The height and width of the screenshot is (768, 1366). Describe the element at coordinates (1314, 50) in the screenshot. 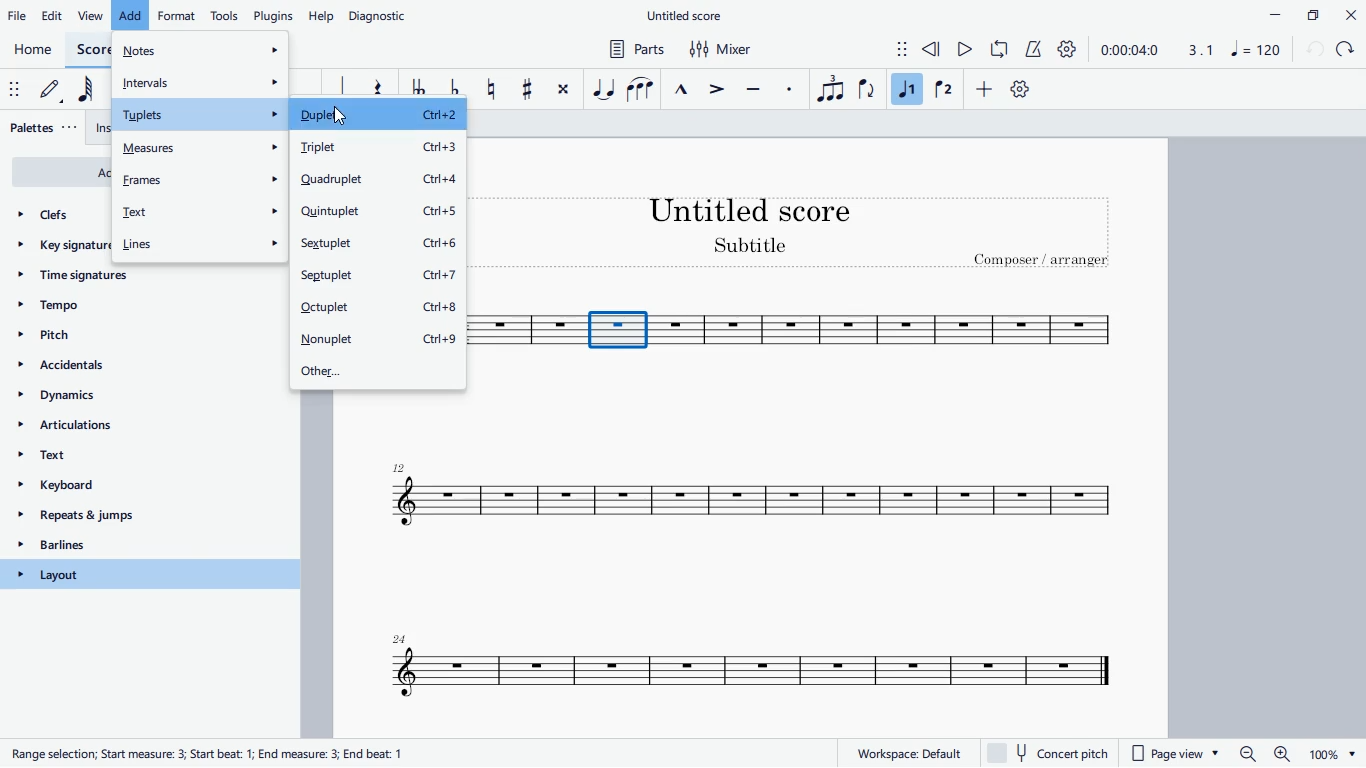

I see `back` at that location.